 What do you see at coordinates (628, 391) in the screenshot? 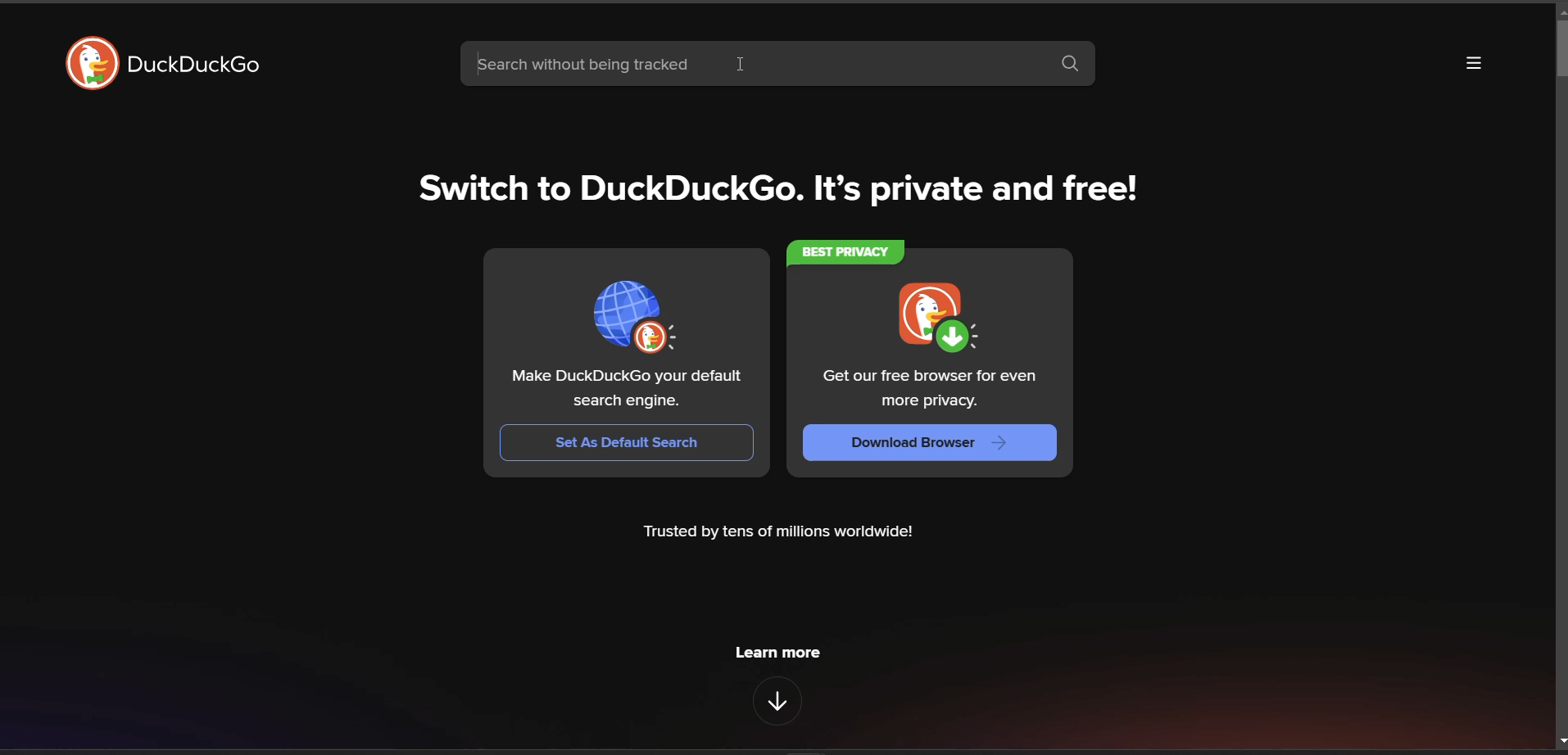
I see `Make DuckDuckGo your default search engine.` at bounding box center [628, 391].